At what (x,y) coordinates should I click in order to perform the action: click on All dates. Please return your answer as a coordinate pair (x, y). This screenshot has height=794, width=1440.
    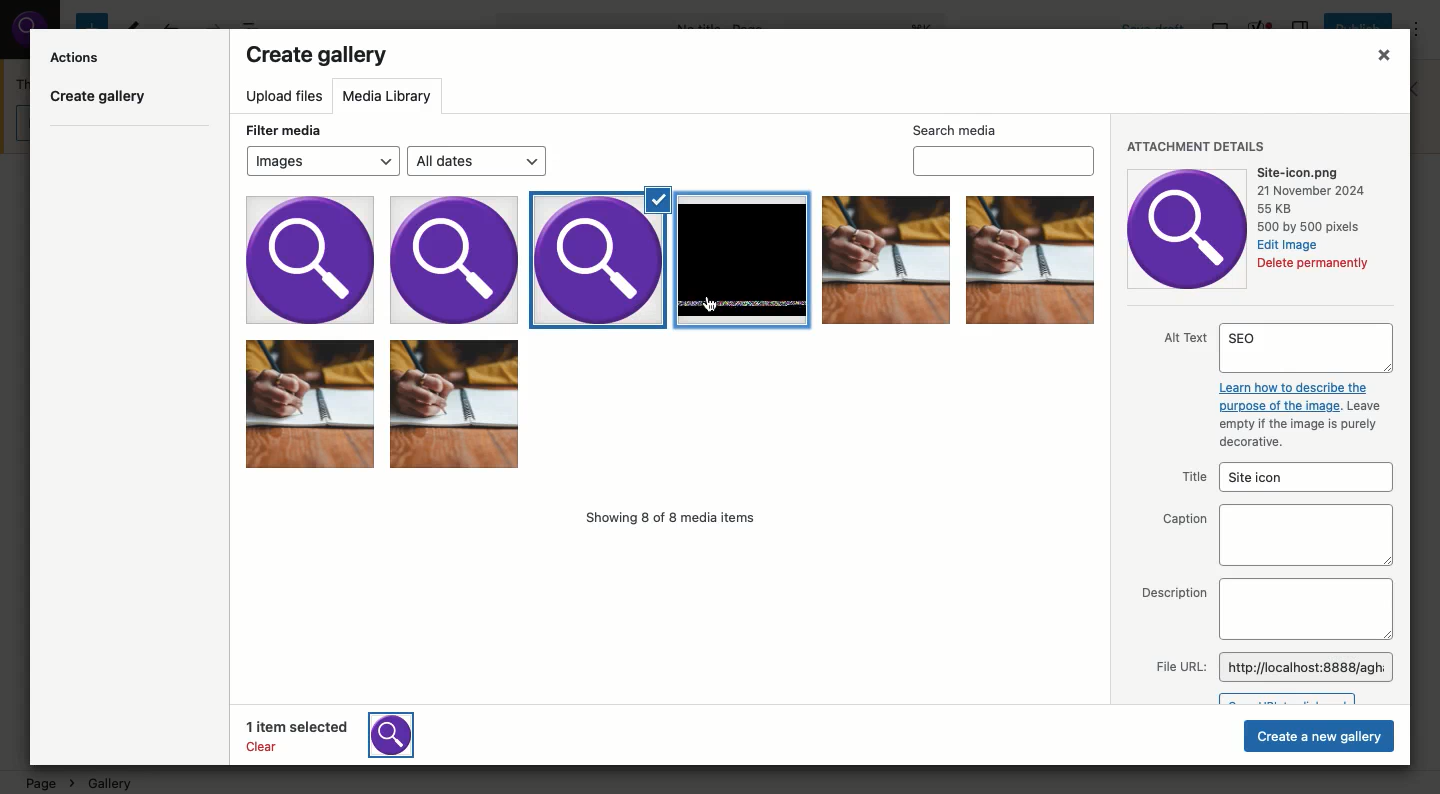
    Looking at the image, I should click on (479, 162).